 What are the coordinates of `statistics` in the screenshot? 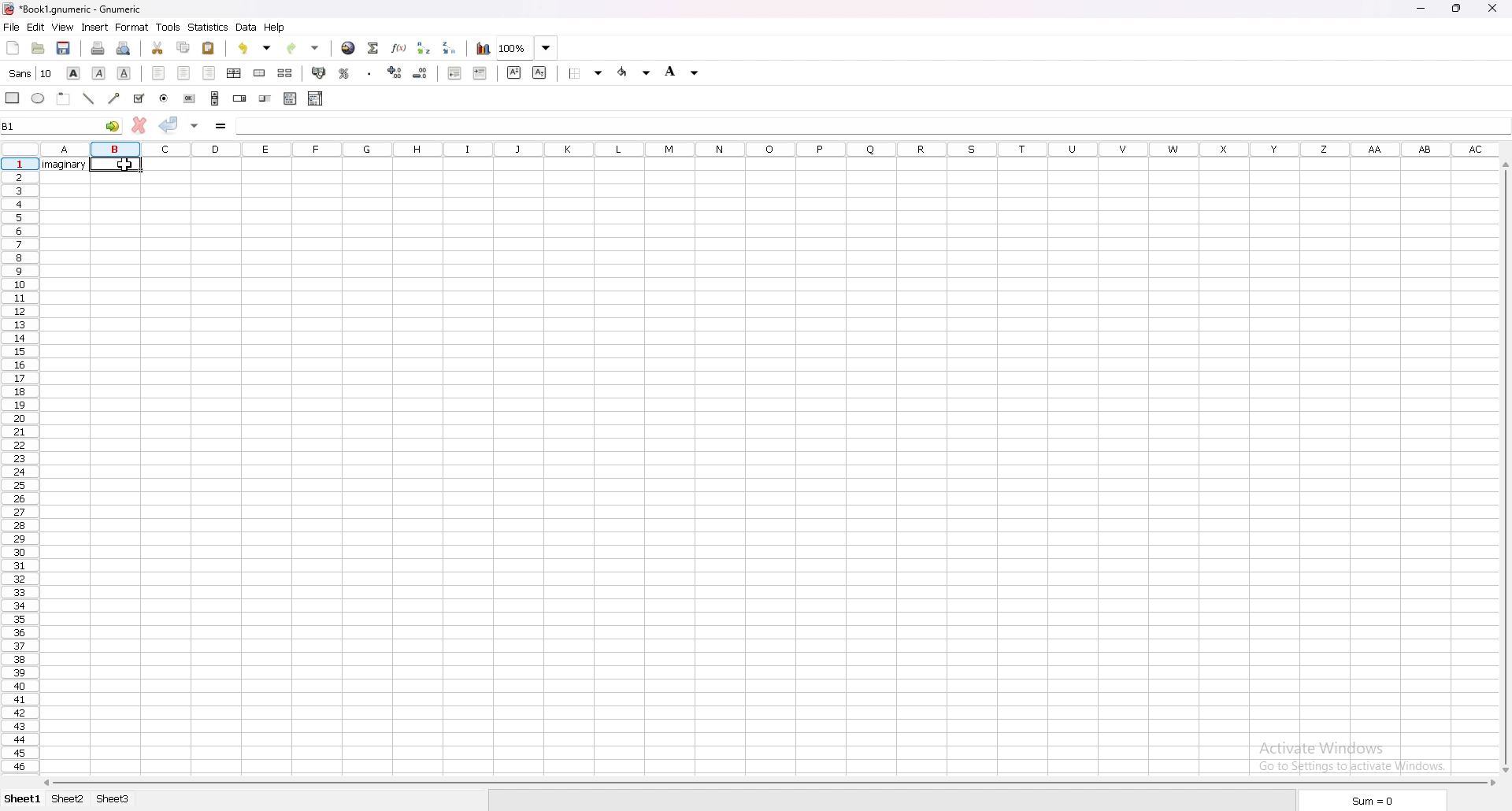 It's located at (209, 26).